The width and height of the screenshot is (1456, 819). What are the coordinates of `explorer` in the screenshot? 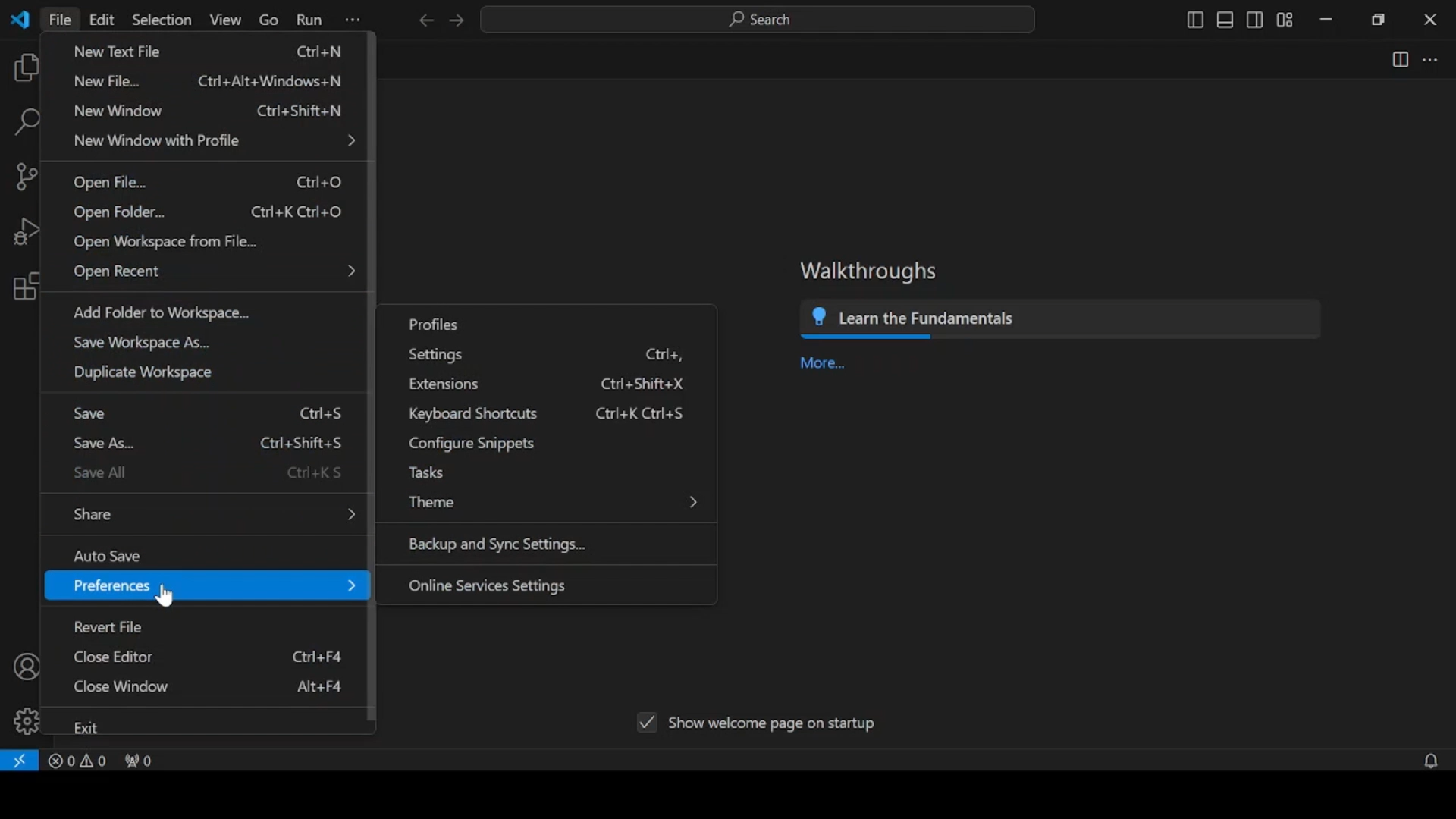 It's located at (27, 67).